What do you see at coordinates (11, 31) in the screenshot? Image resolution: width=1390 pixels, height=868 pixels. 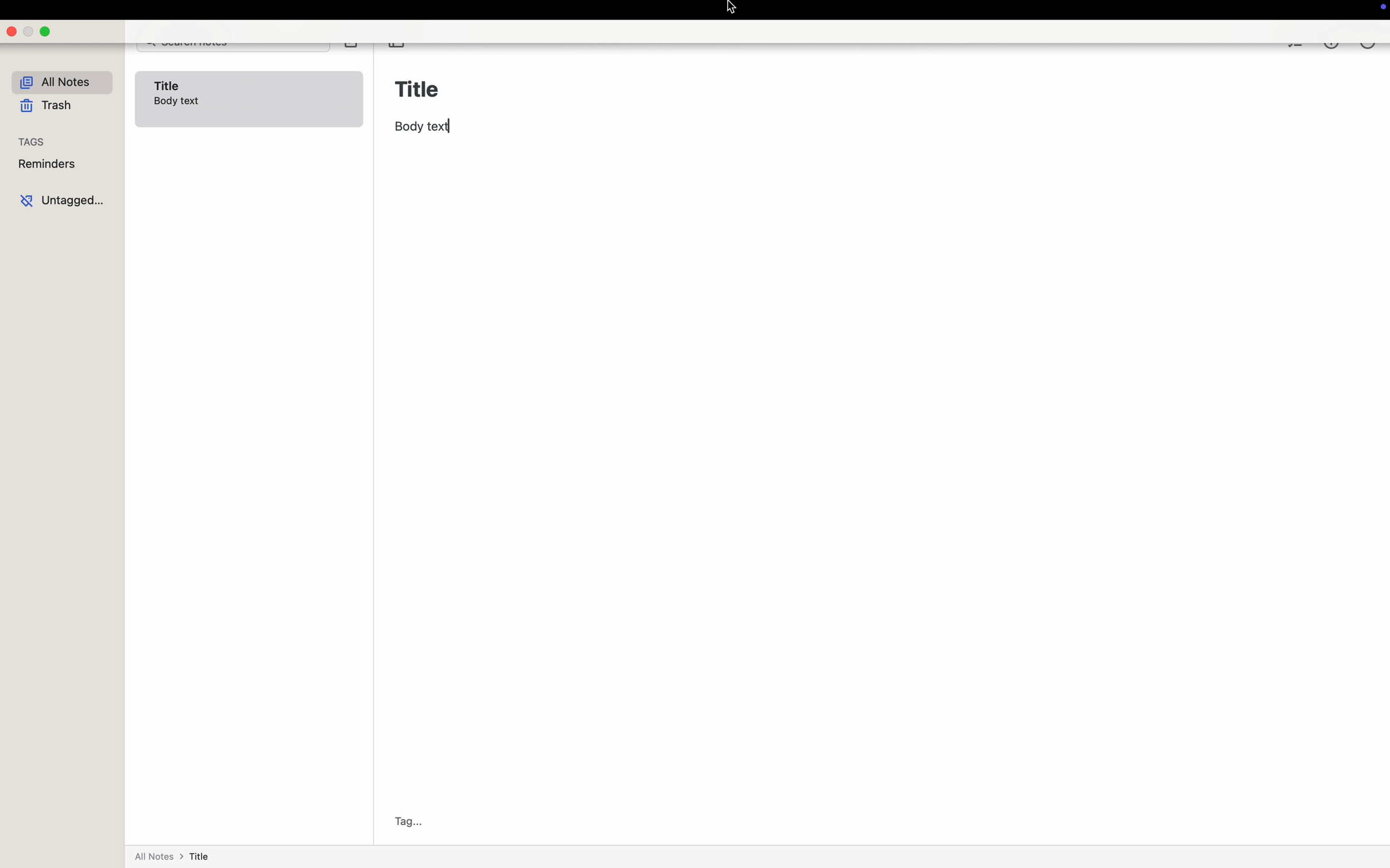 I see `close app` at bounding box center [11, 31].